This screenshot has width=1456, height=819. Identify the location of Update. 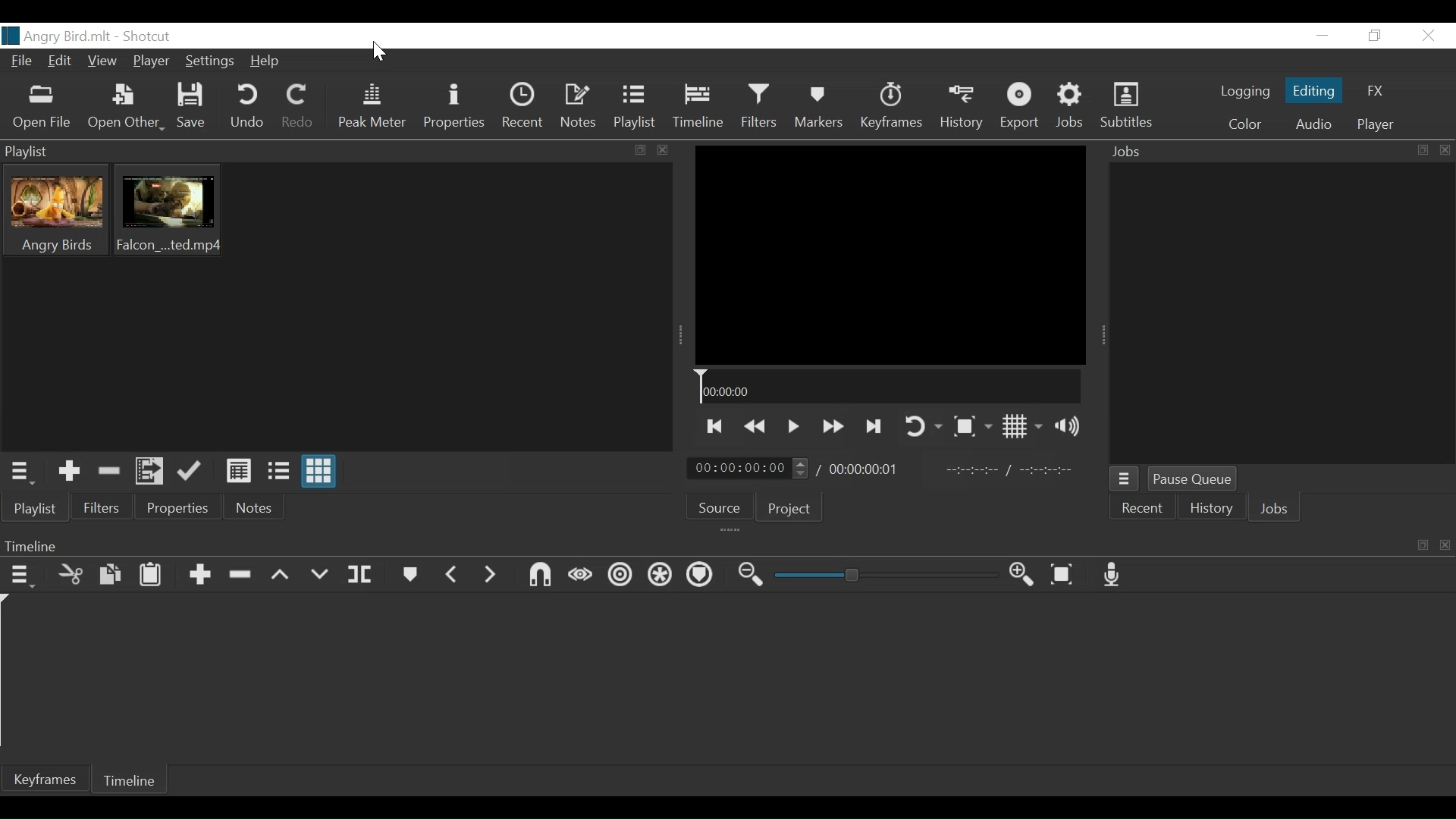
(190, 472).